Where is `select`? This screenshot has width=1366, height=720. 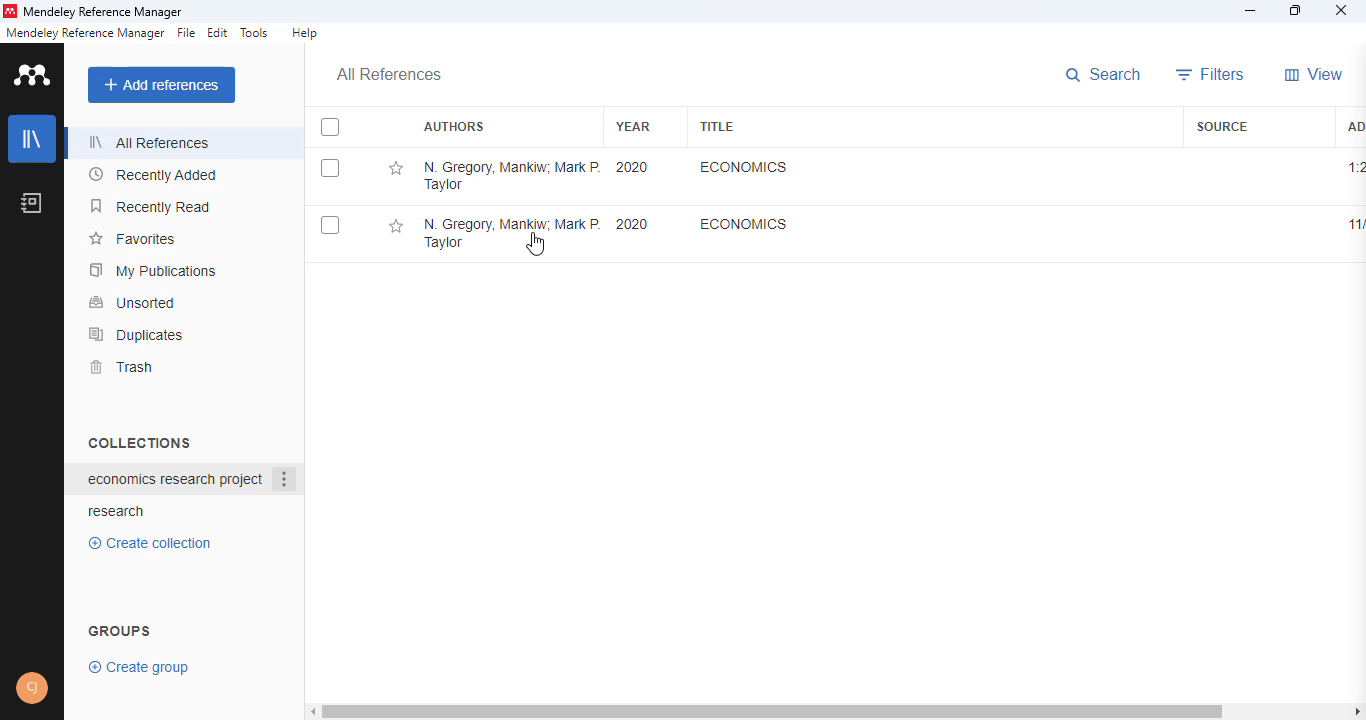 select is located at coordinates (330, 128).